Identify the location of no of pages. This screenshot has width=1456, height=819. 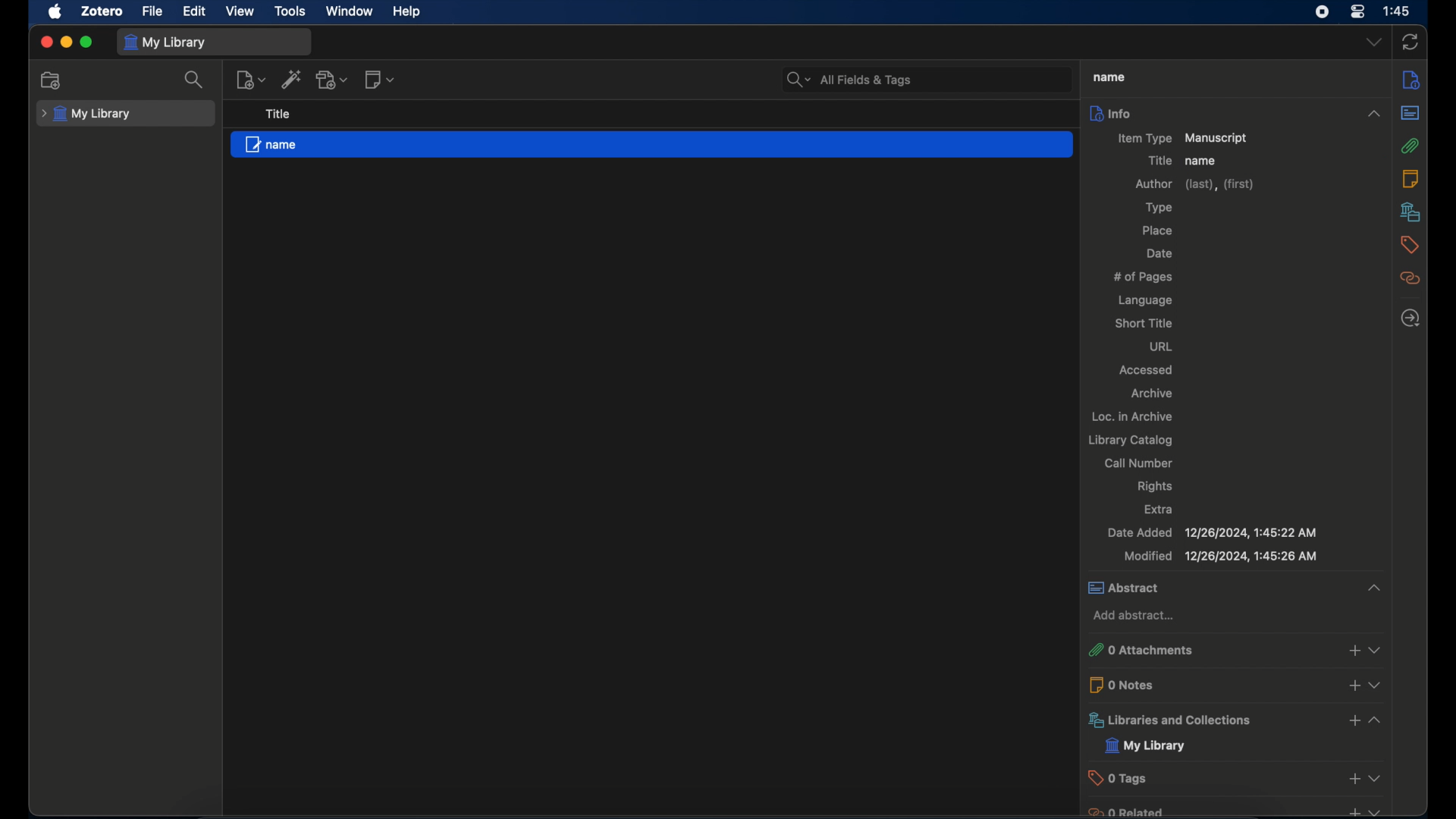
(1144, 277).